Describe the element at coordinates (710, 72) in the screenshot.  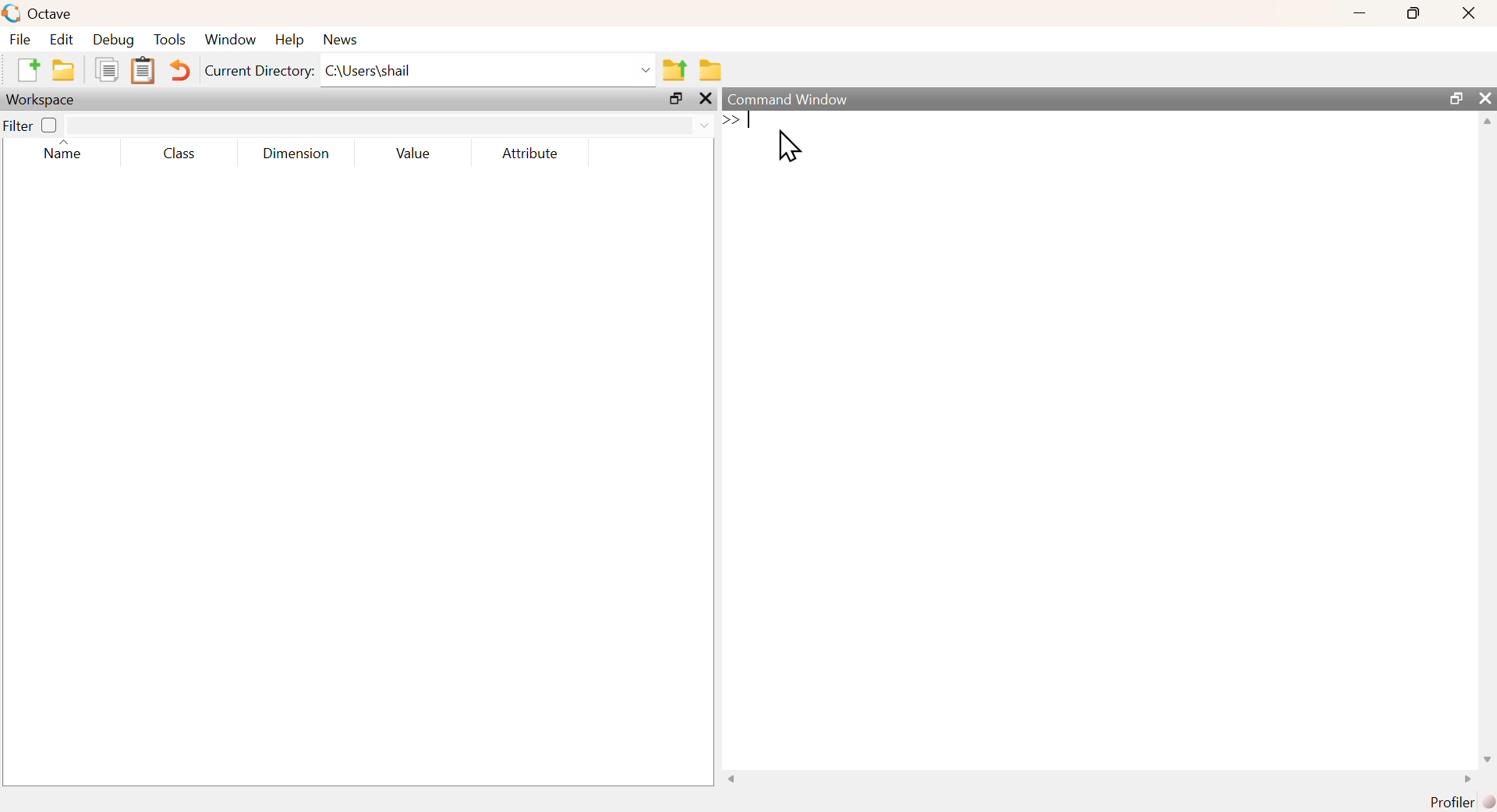
I see `Browse directories` at that location.